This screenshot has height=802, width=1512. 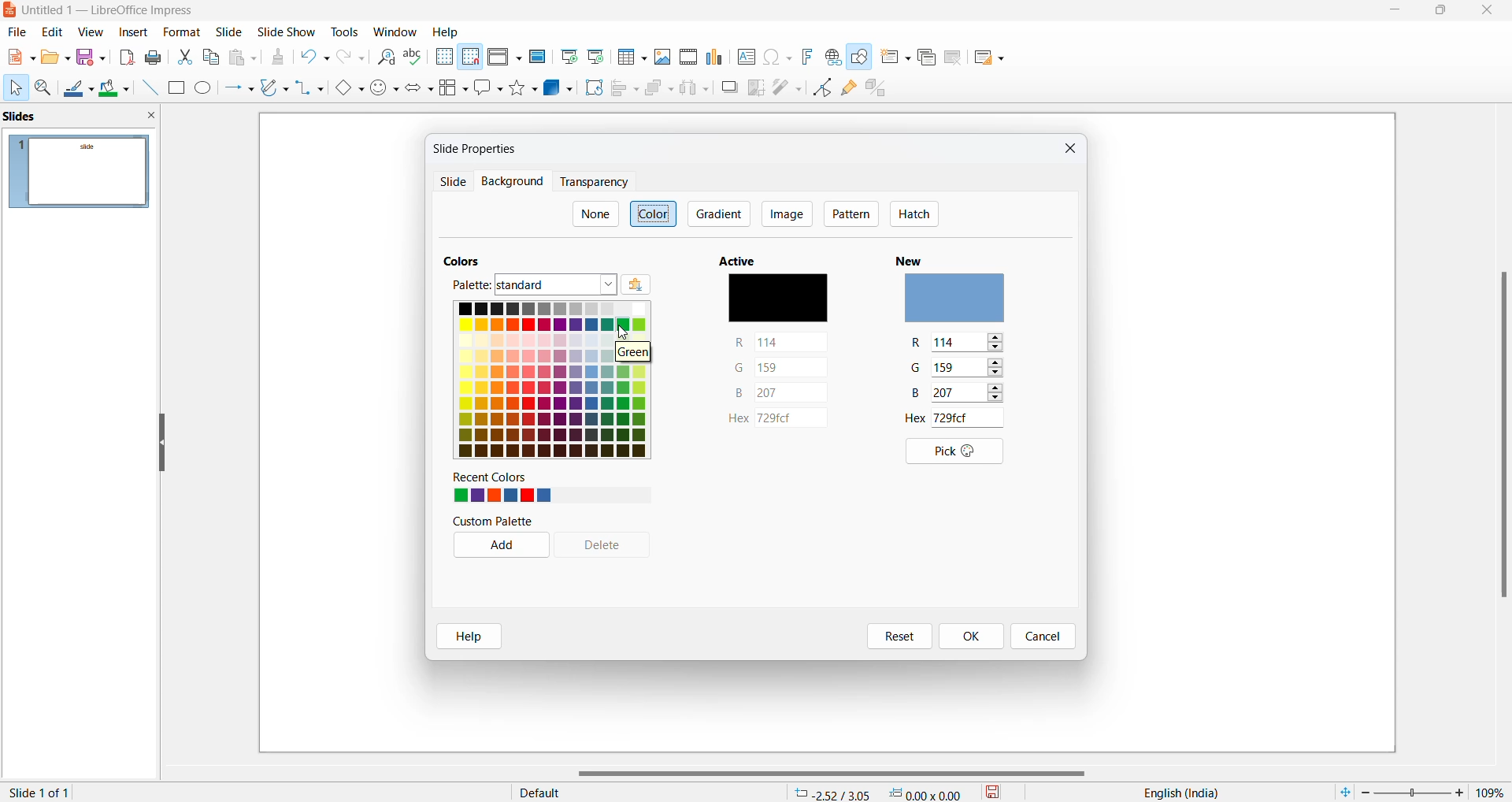 What do you see at coordinates (212, 58) in the screenshot?
I see `copy options` at bounding box center [212, 58].